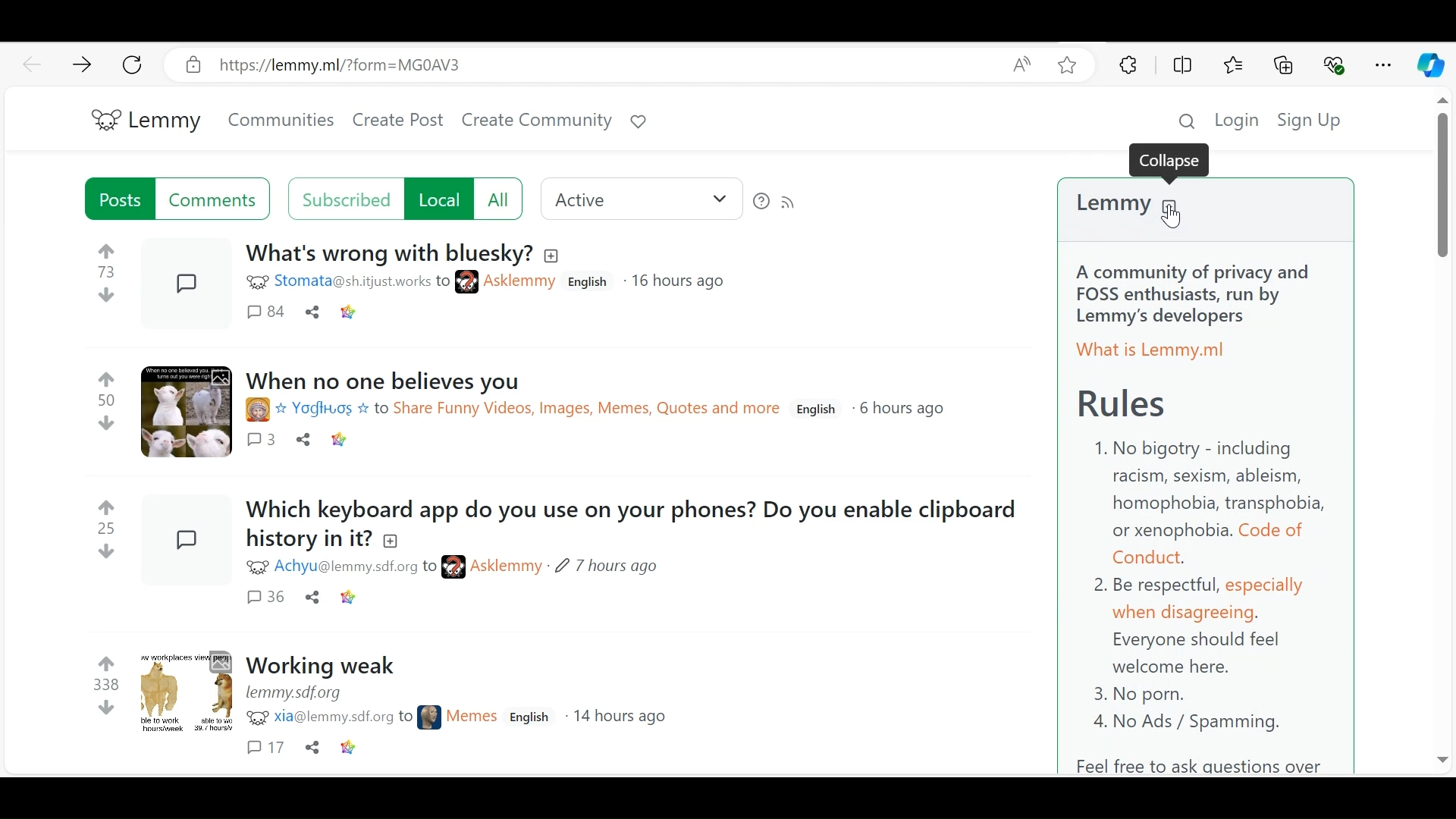 The width and height of the screenshot is (1456, 819). I want to click on Create Post, so click(398, 124).